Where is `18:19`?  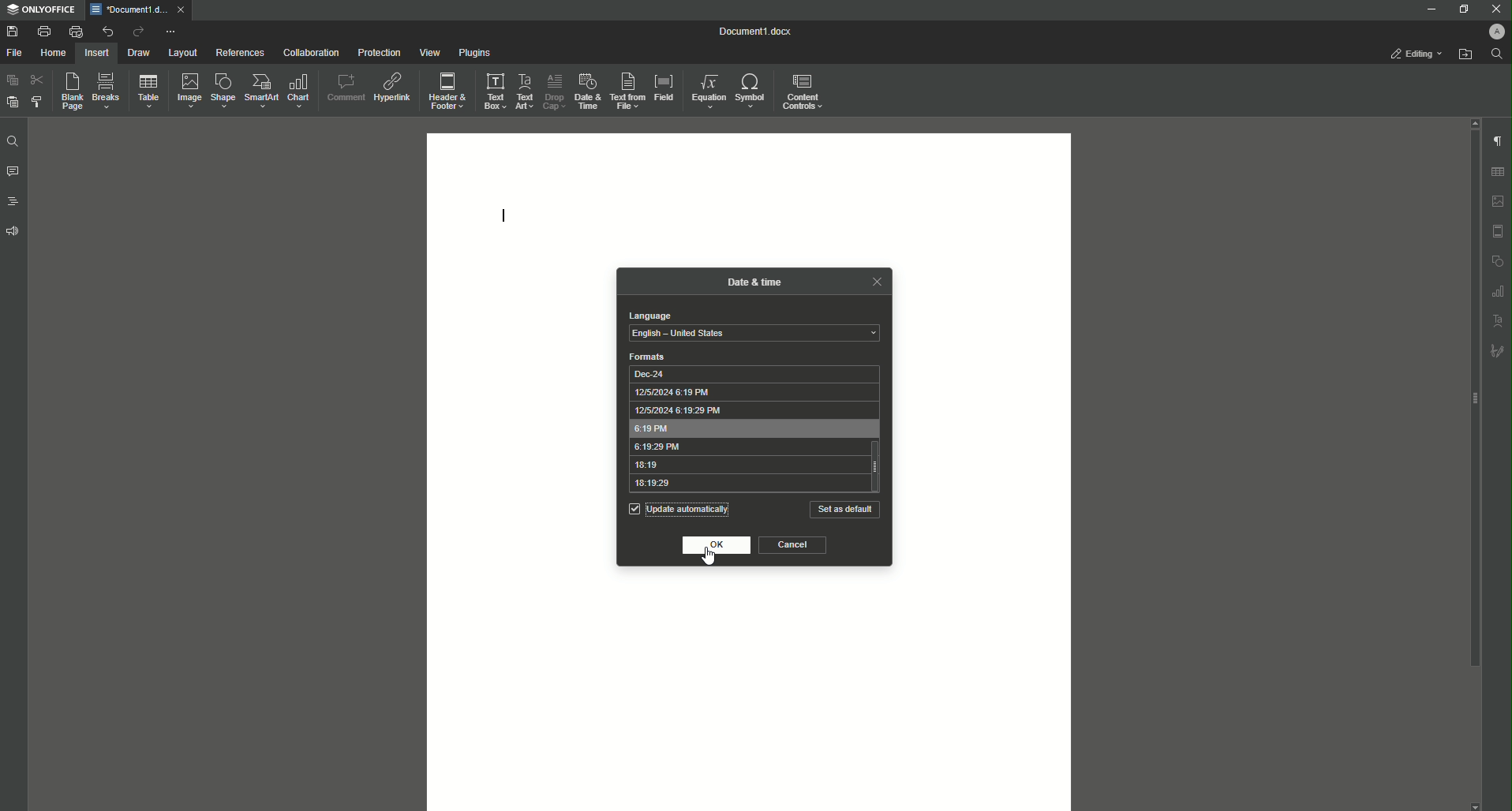
18:19 is located at coordinates (745, 465).